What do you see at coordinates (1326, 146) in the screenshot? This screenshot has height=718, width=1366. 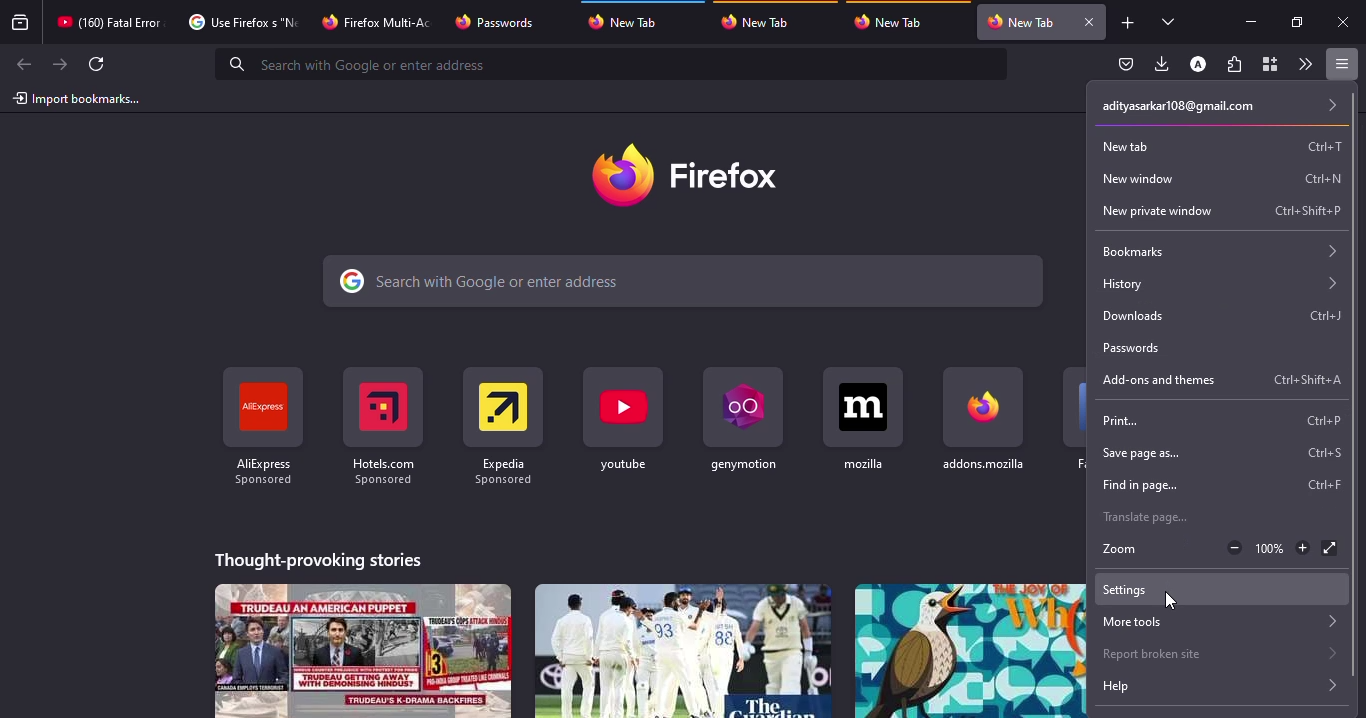 I see `shortcut` at bounding box center [1326, 146].